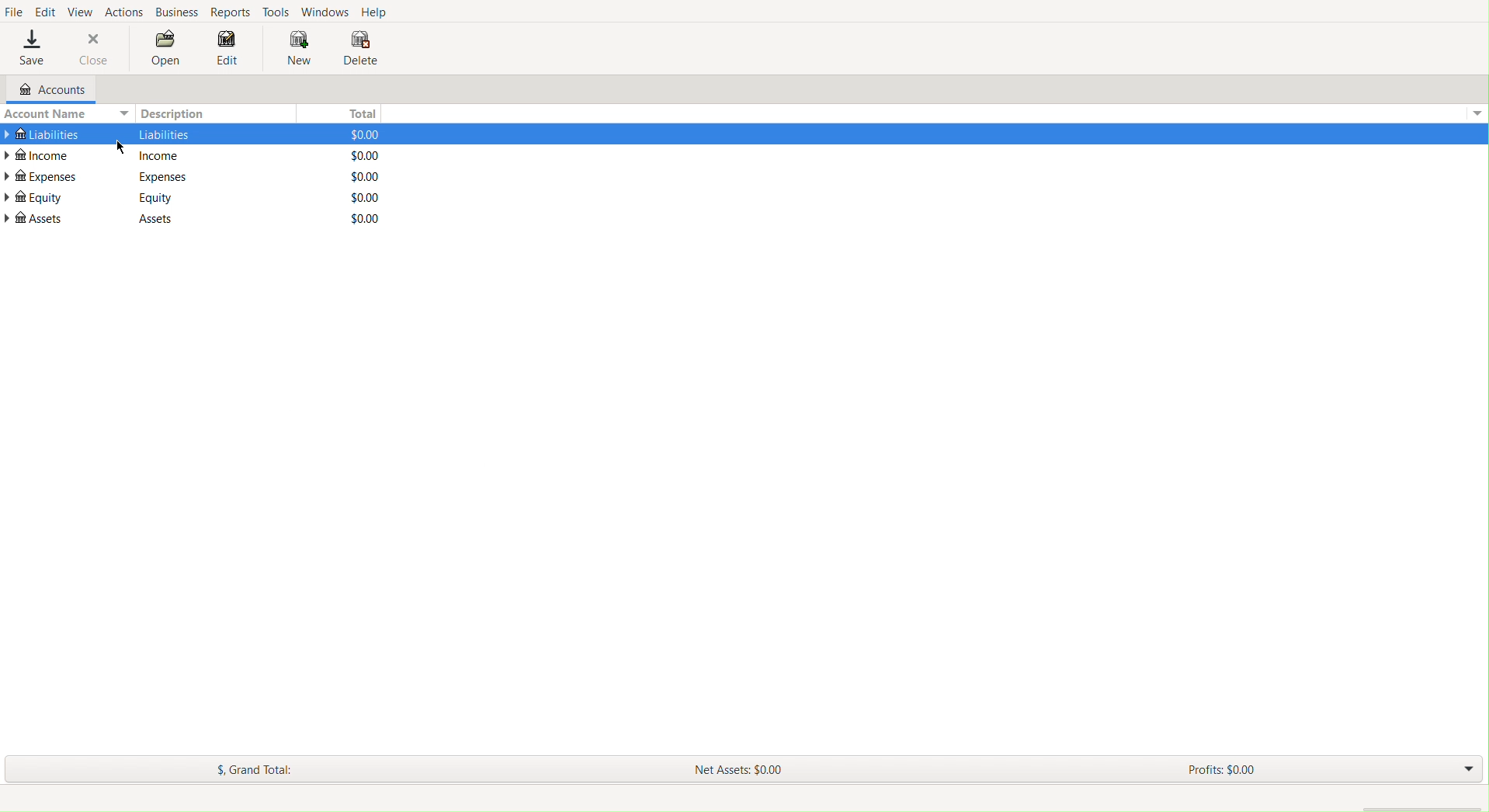 The image size is (1489, 812). I want to click on Edit, so click(227, 52).